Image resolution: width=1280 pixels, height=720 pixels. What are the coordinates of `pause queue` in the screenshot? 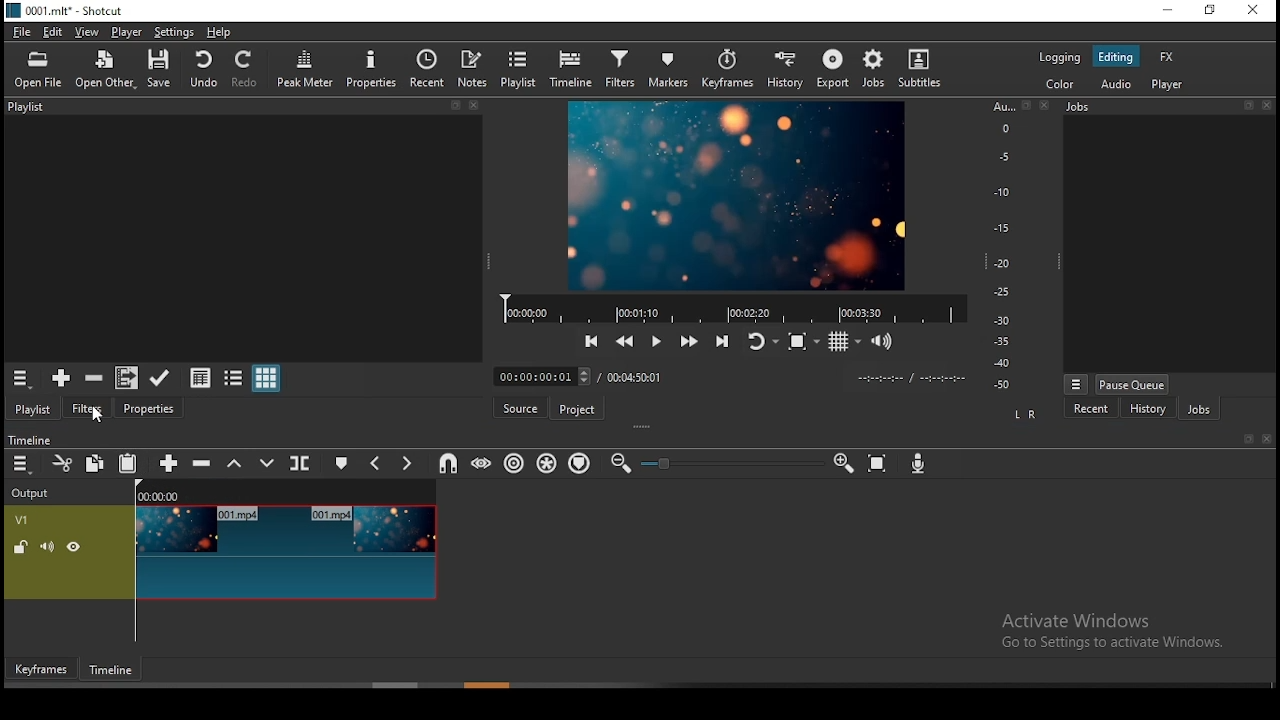 It's located at (1131, 384).